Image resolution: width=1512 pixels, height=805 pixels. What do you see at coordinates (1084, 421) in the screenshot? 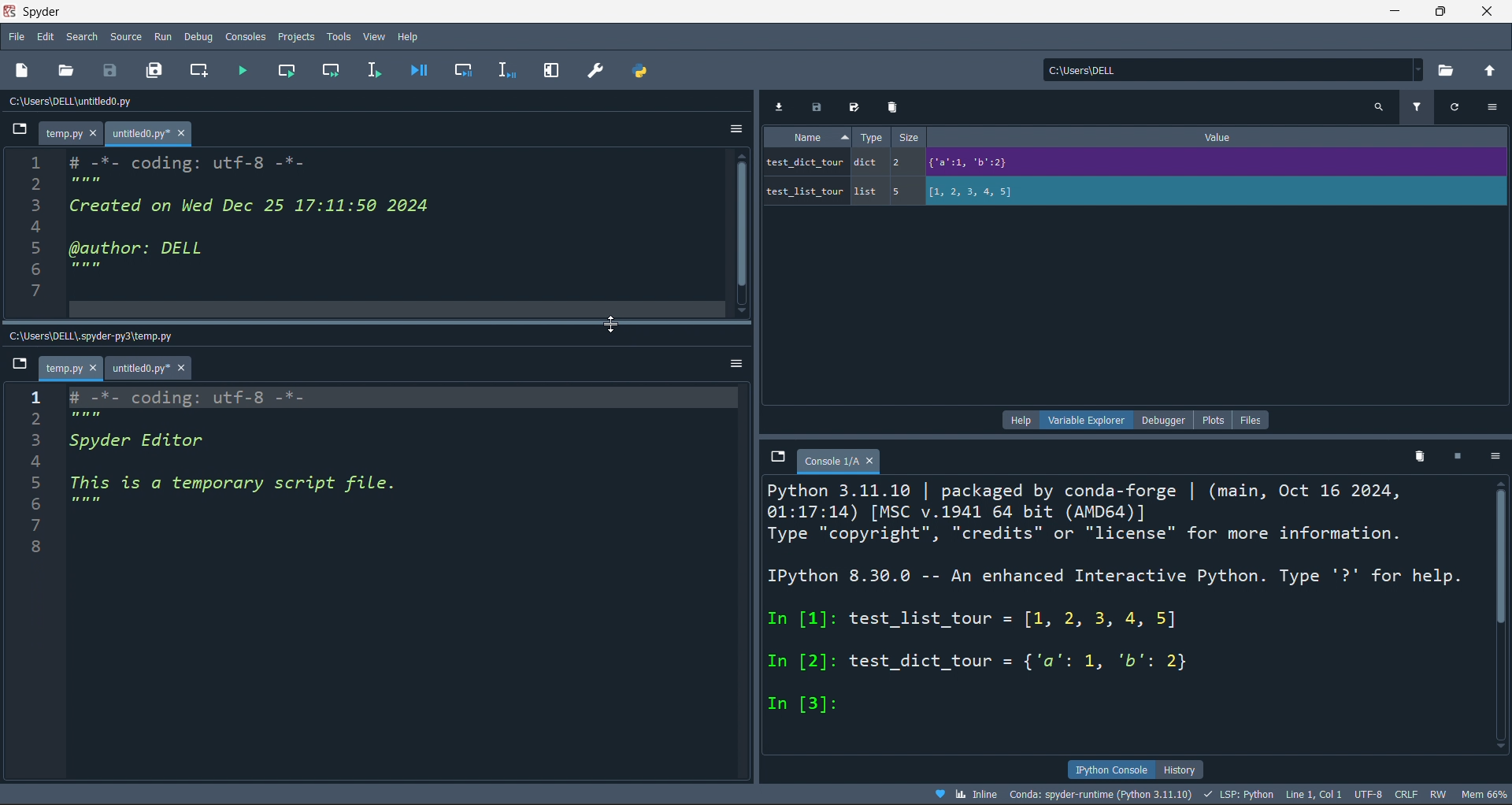
I see `varable explorer` at bounding box center [1084, 421].